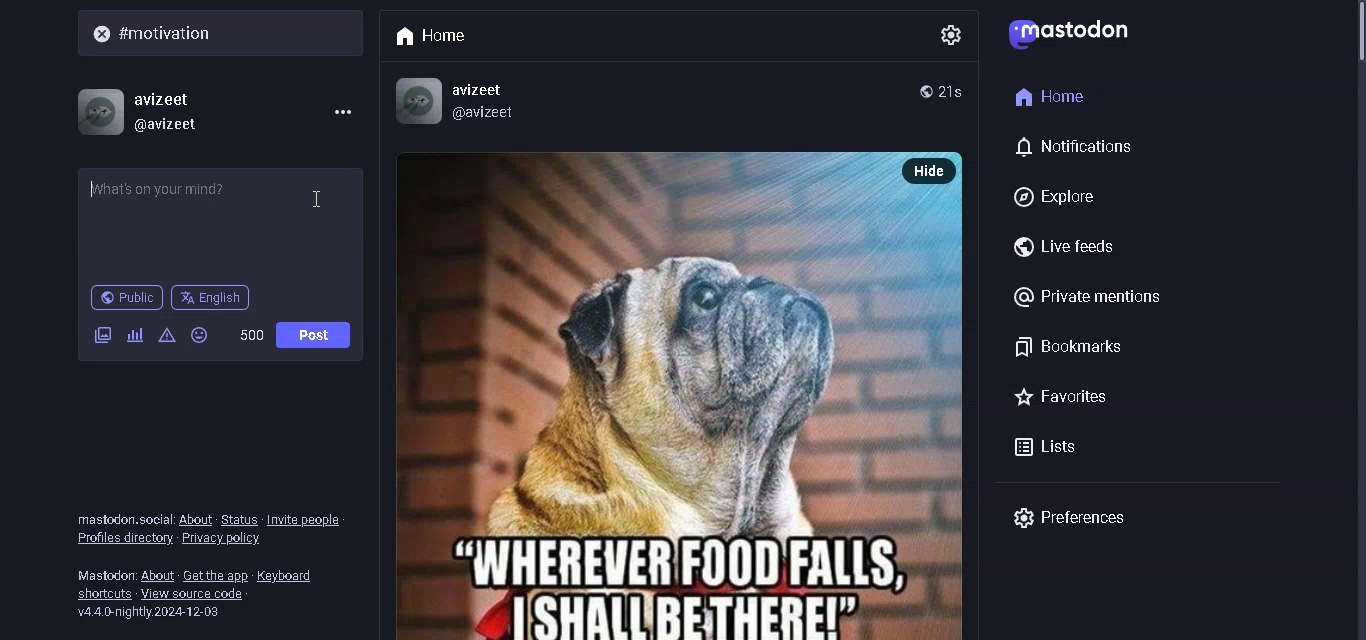 The height and width of the screenshot is (640, 1366). What do you see at coordinates (103, 595) in the screenshot?
I see `shortcuts` at bounding box center [103, 595].